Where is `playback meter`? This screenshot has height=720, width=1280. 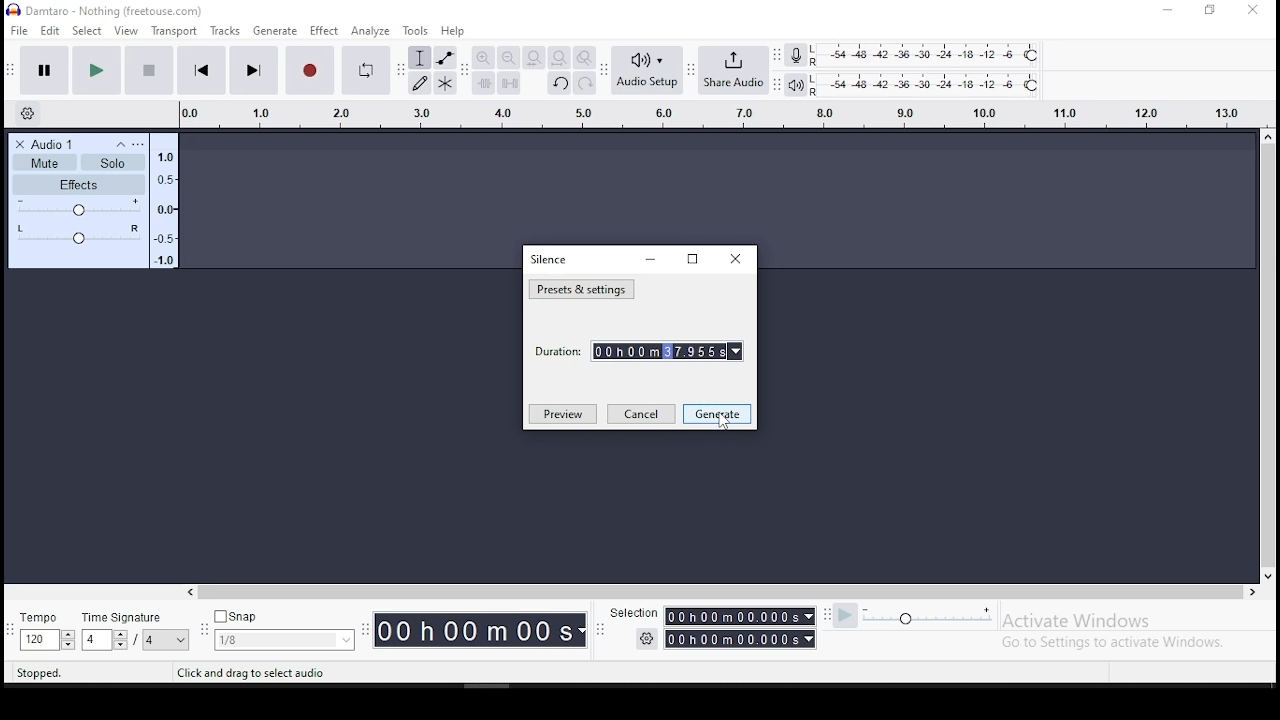
playback meter is located at coordinates (794, 86).